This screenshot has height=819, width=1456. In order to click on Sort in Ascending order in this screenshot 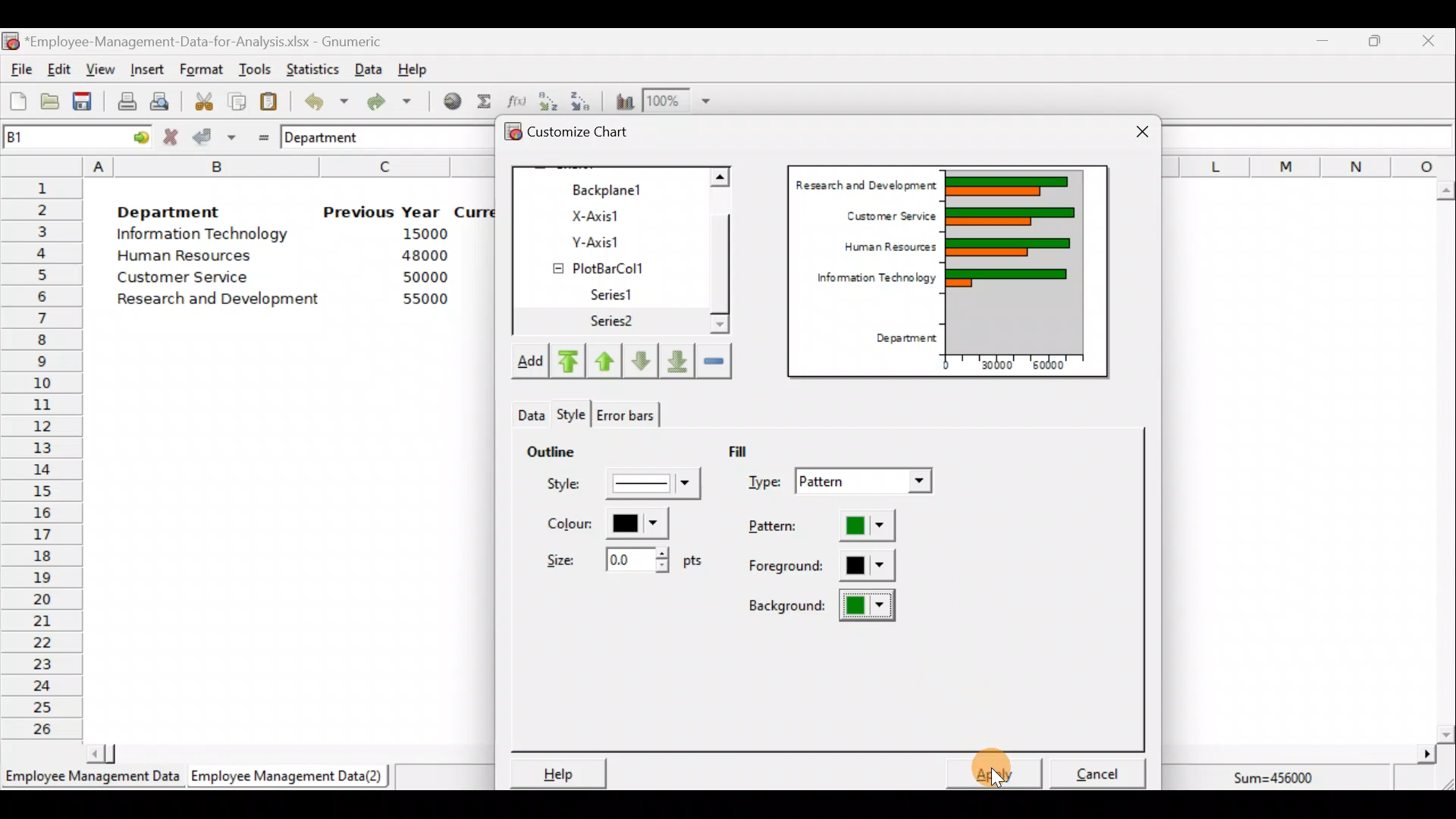, I will do `click(548, 101)`.